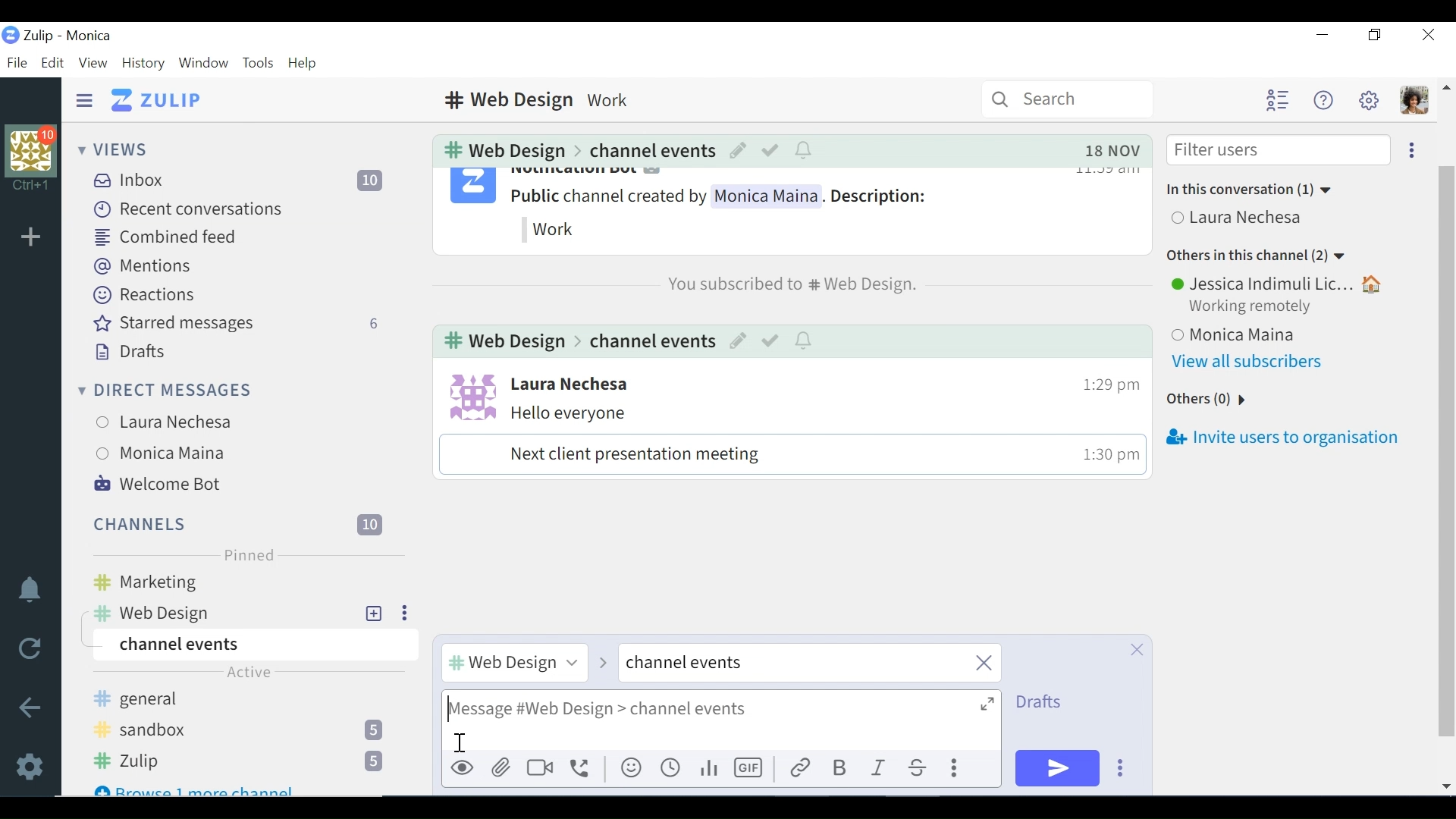  What do you see at coordinates (202, 63) in the screenshot?
I see `Window` at bounding box center [202, 63].